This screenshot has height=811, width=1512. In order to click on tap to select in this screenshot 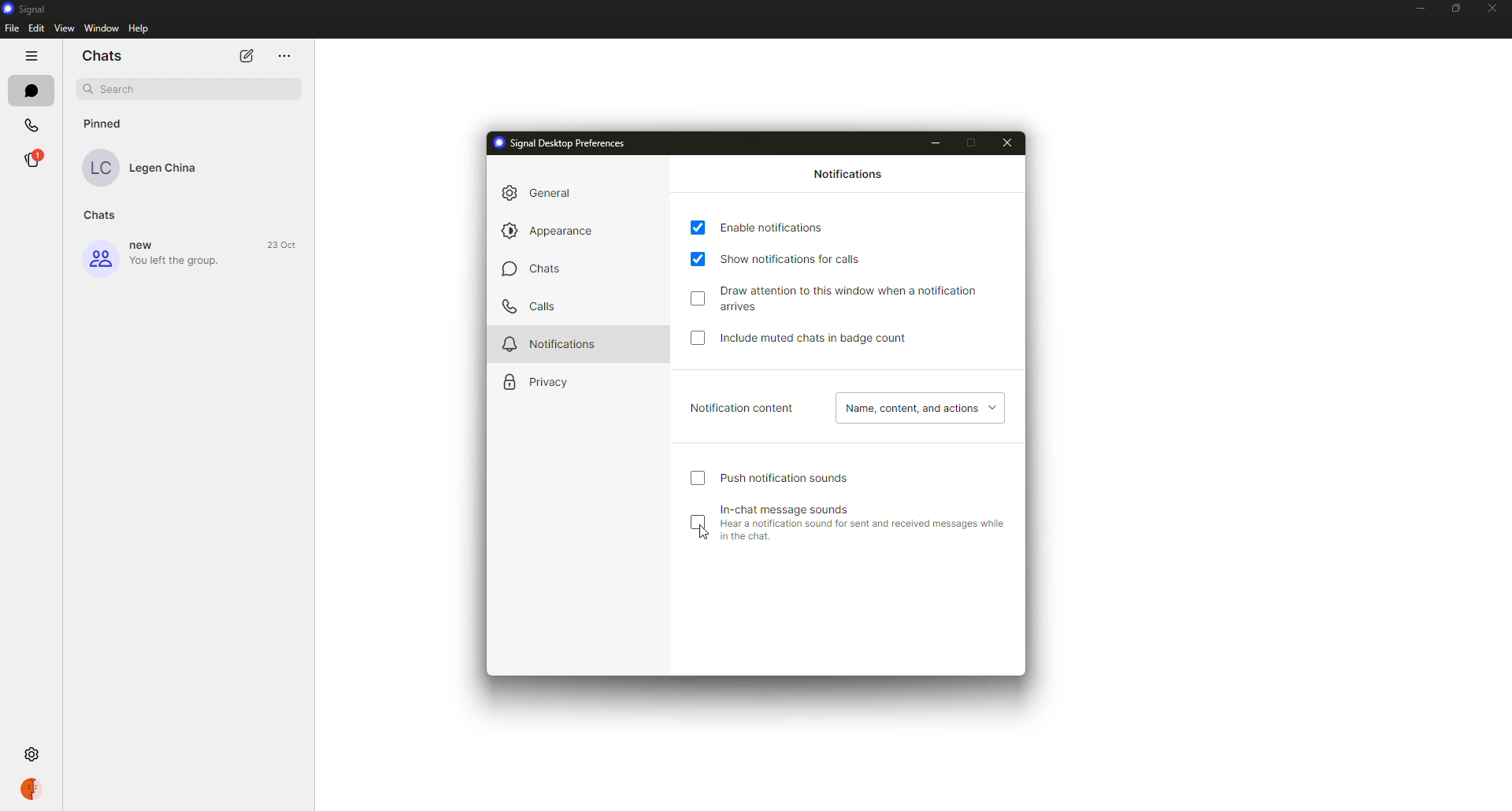, I will do `click(697, 478)`.